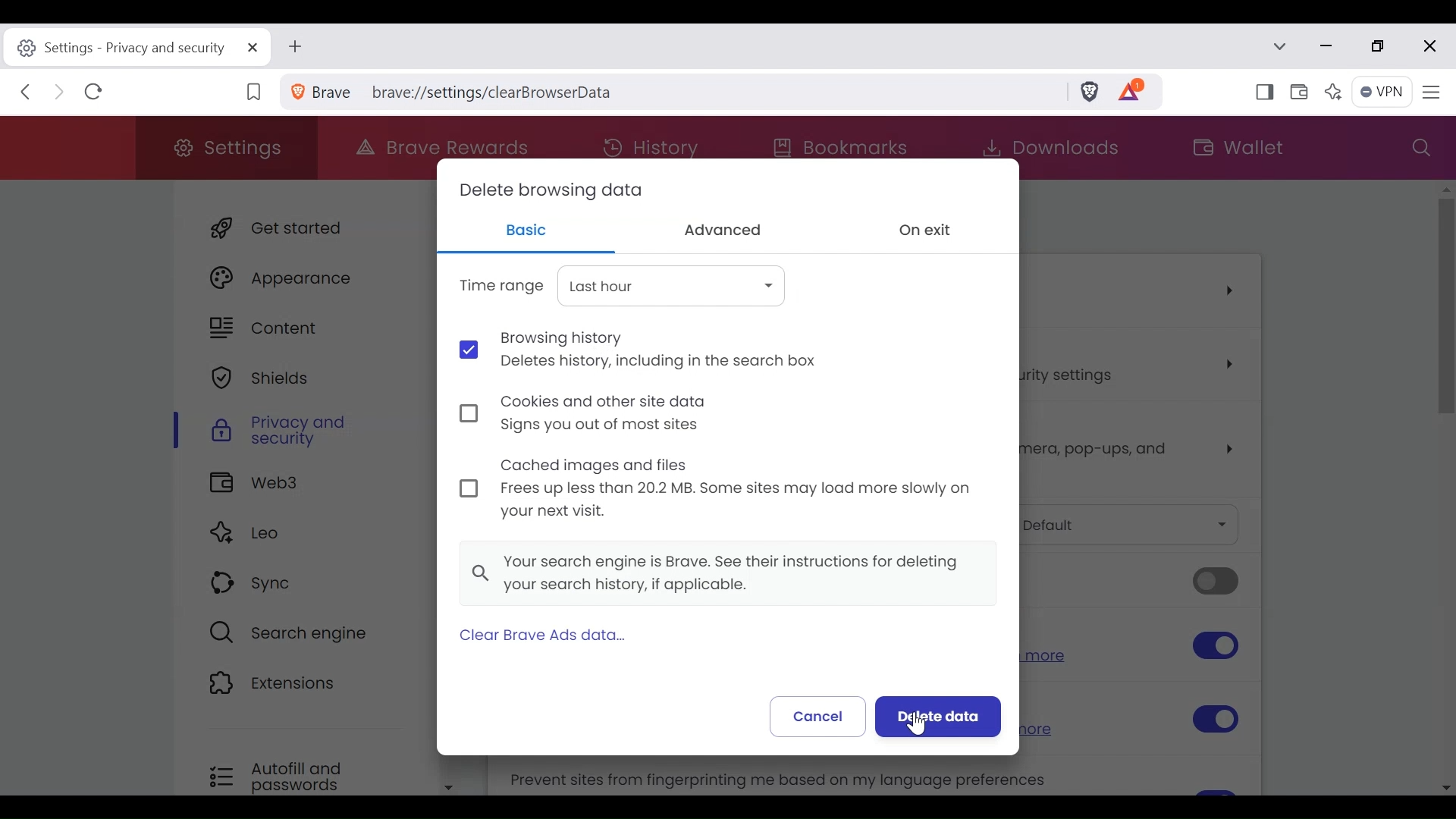 The image size is (1456, 819). I want to click on Refresh, so click(95, 94).